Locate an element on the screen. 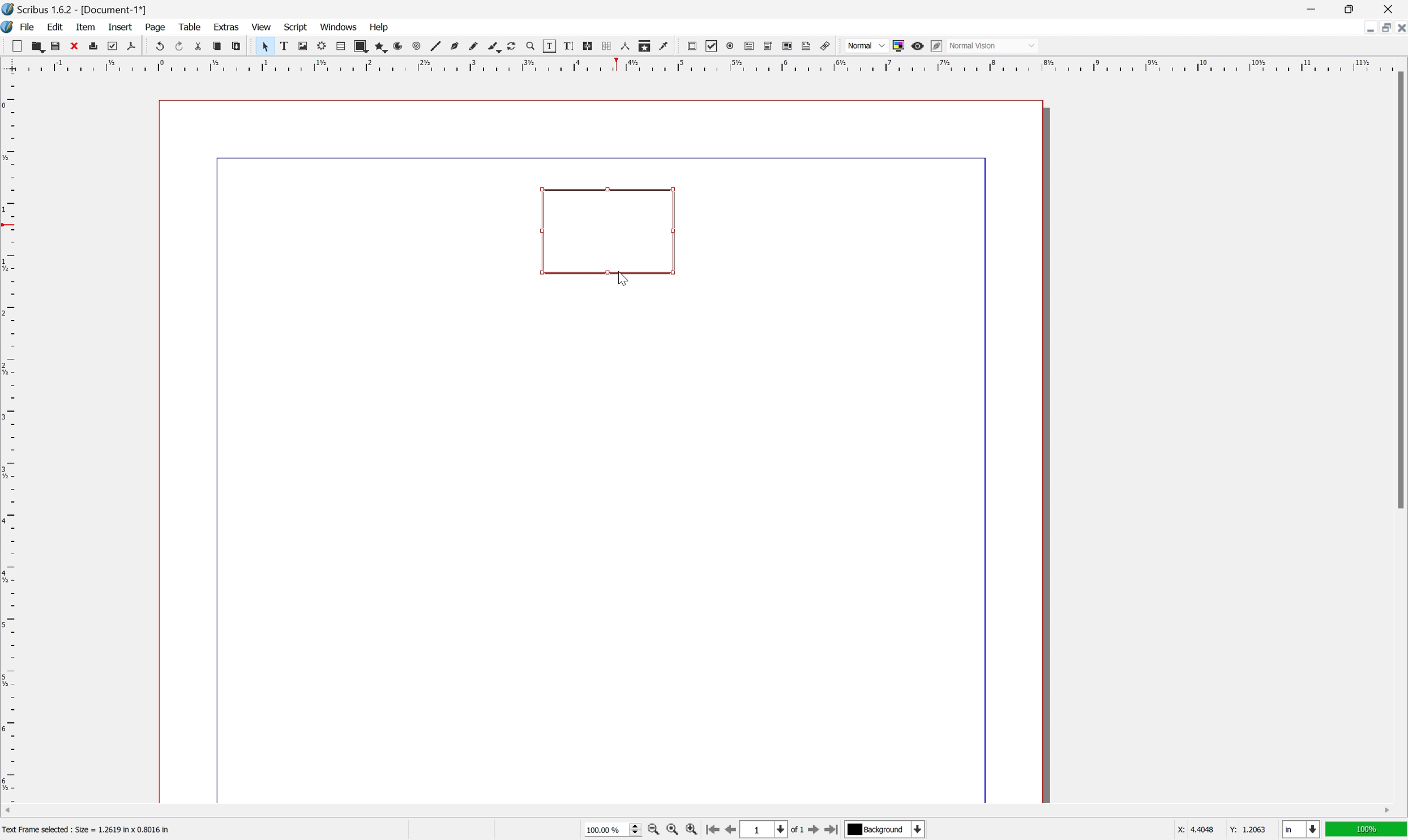 Image resolution: width=1408 pixels, height=840 pixels. edit is located at coordinates (57, 27).